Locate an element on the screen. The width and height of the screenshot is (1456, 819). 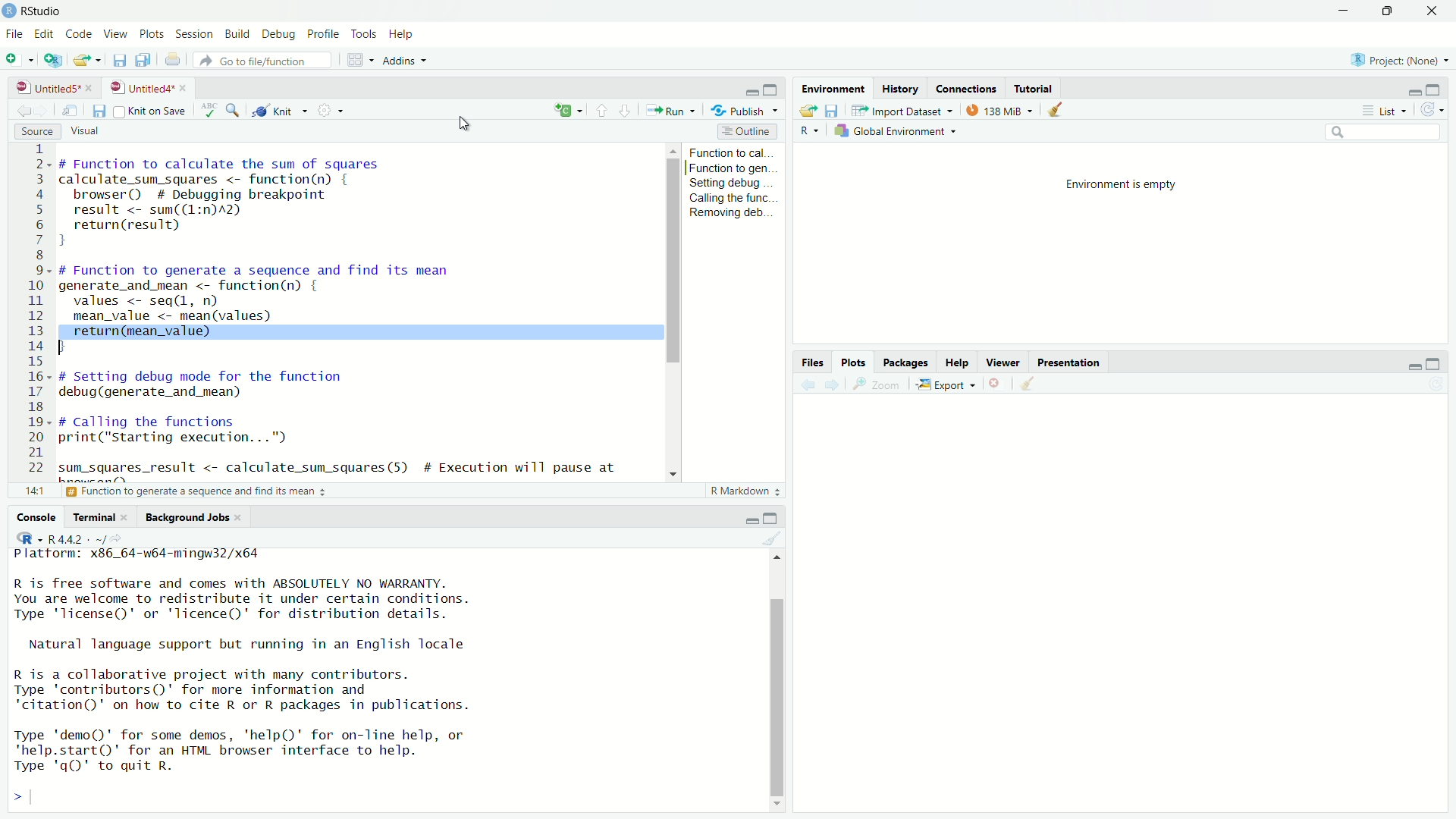
viewer is located at coordinates (1003, 360).